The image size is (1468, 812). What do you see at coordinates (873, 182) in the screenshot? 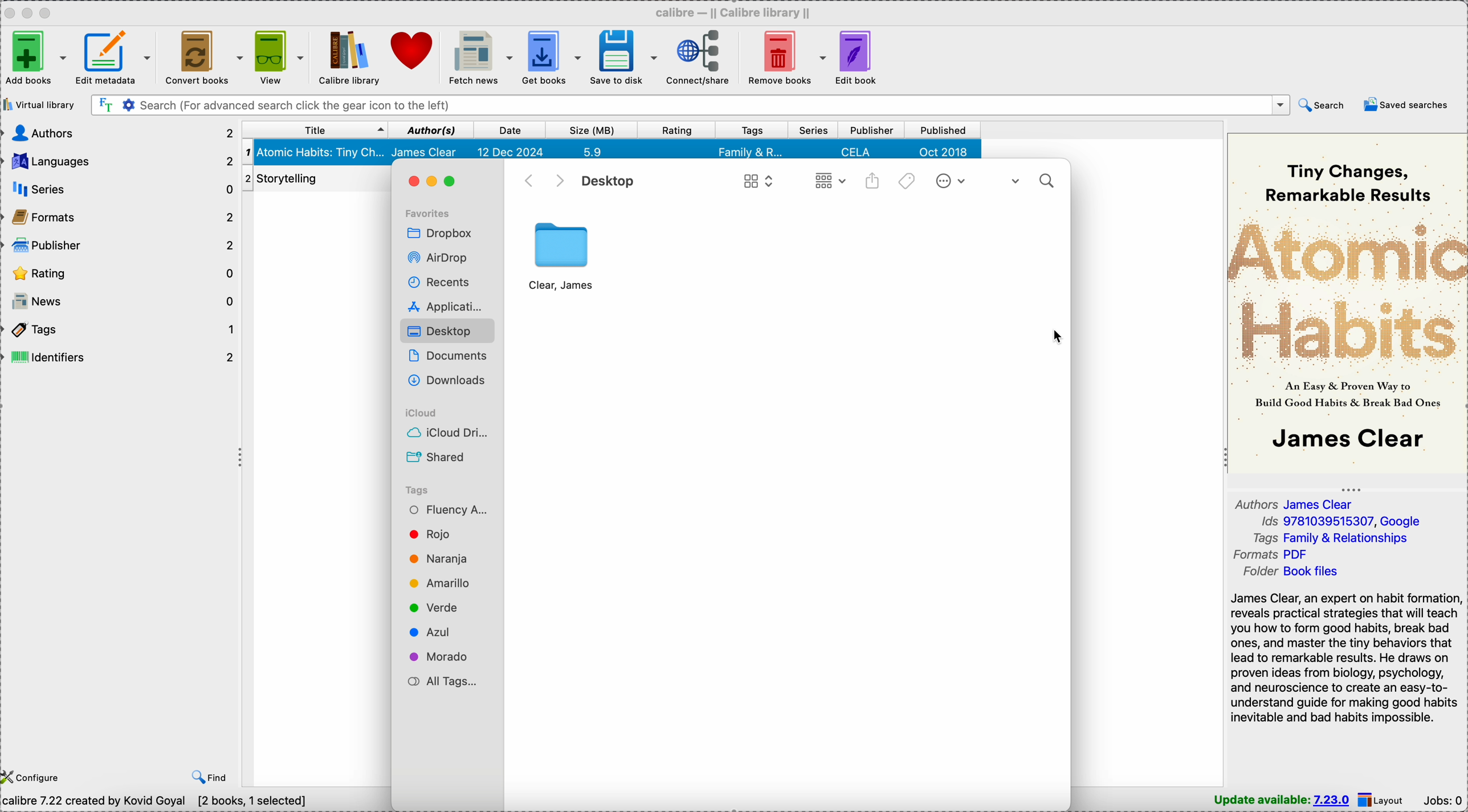
I see `disable share` at bounding box center [873, 182].